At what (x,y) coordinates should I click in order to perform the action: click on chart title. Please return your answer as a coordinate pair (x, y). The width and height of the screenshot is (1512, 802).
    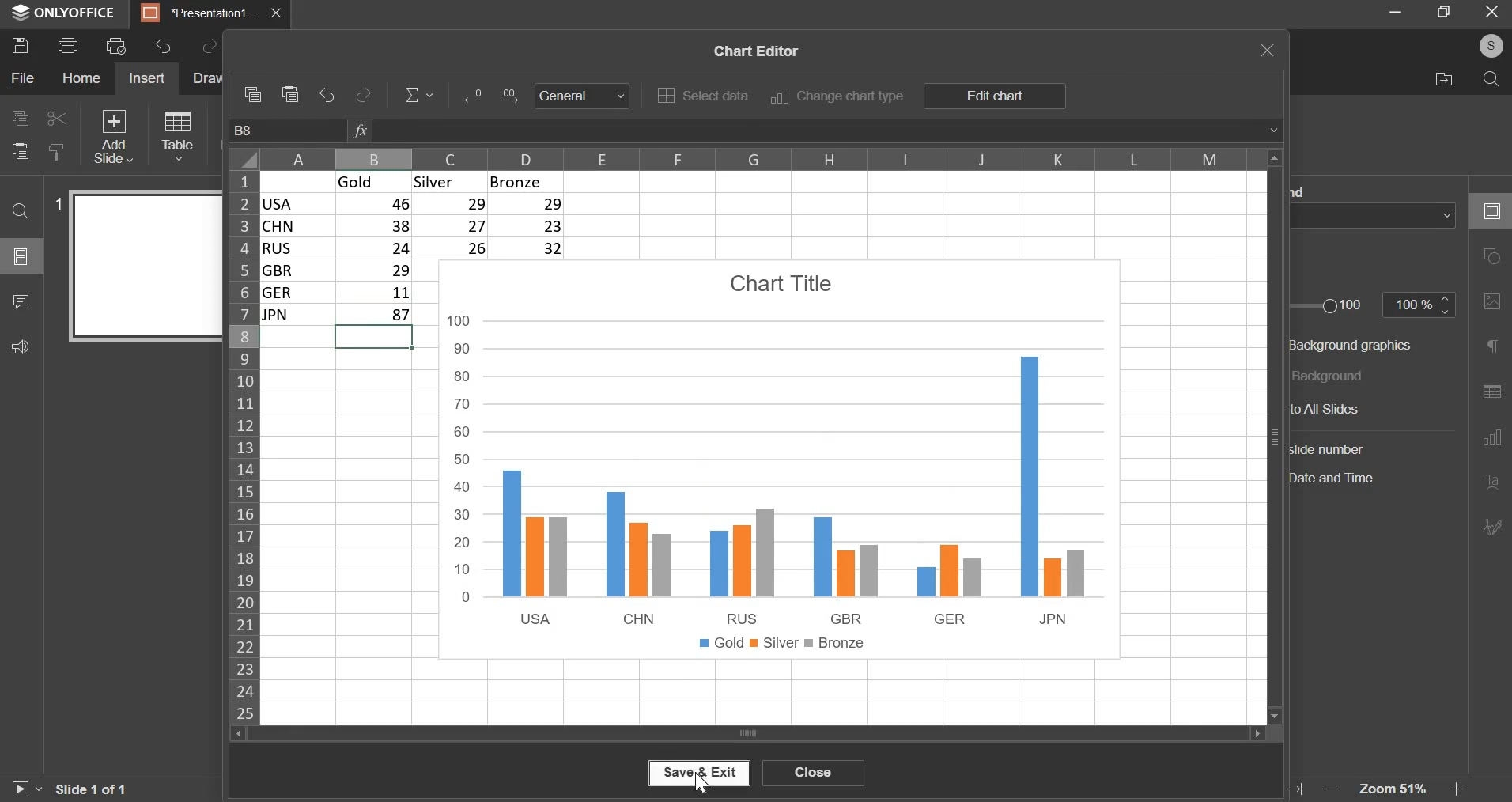
    Looking at the image, I should click on (782, 286).